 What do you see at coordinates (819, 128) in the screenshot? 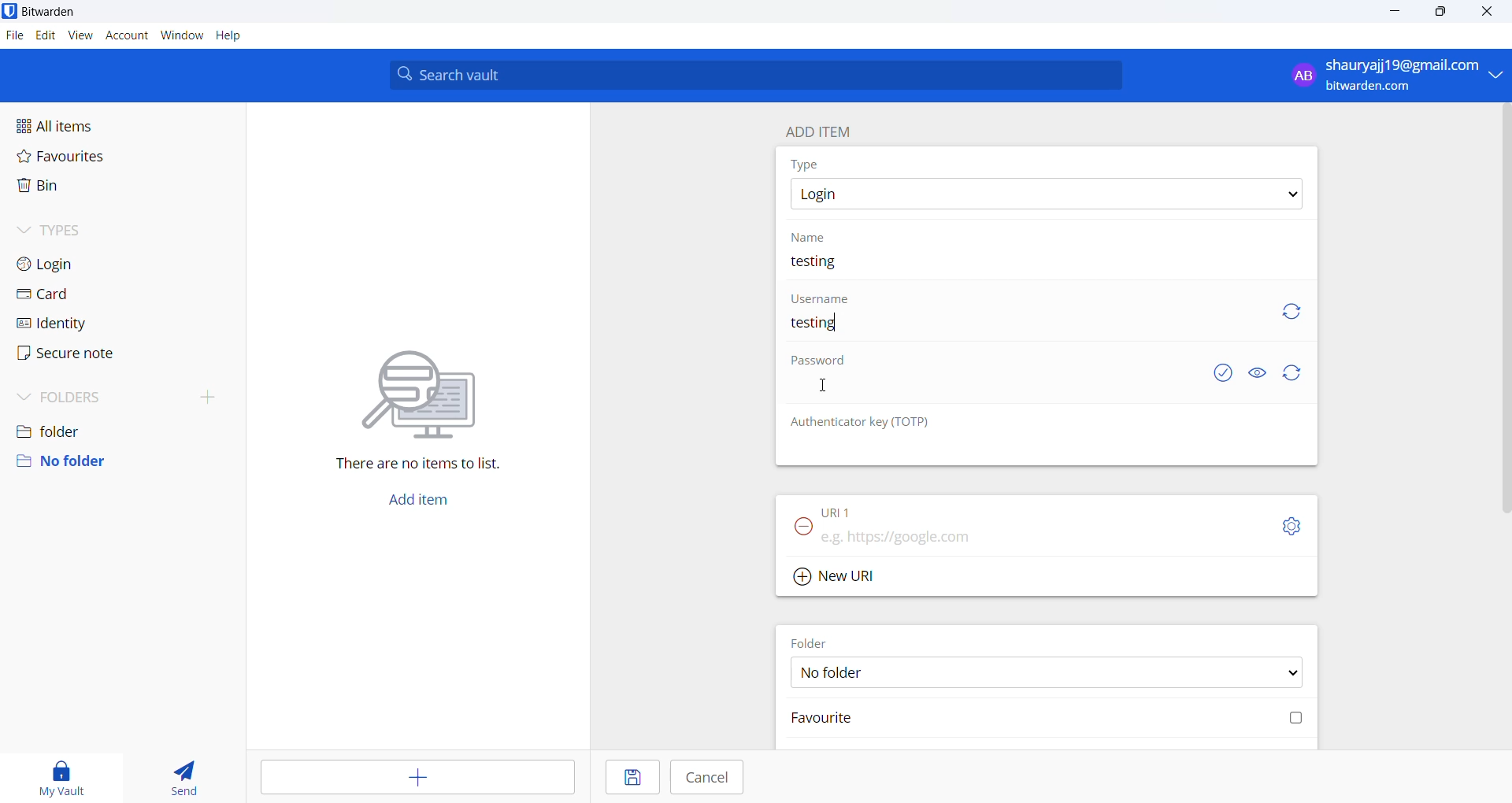
I see `add item heading` at bounding box center [819, 128].